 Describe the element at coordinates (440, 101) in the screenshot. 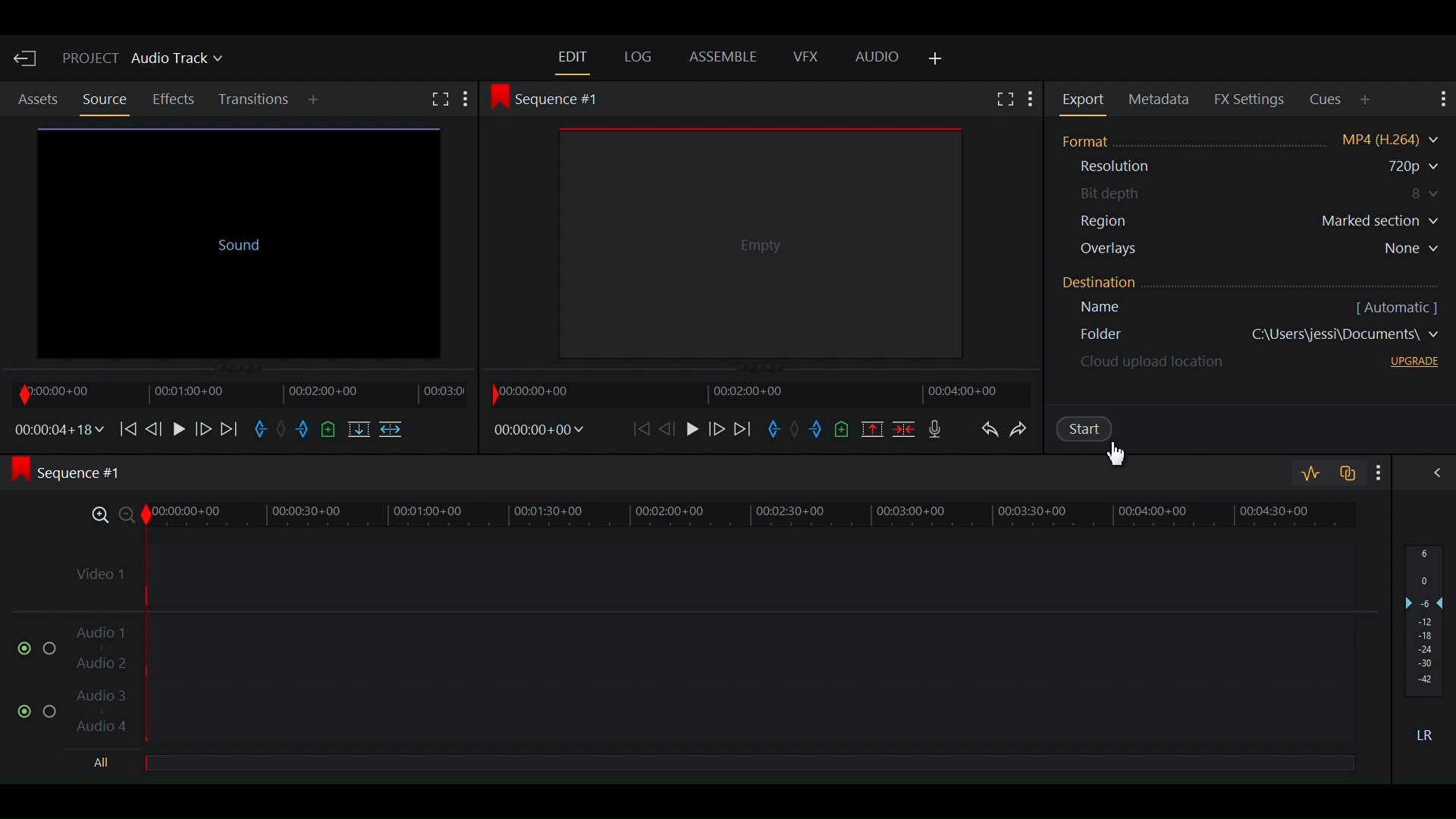

I see `Fullscreen` at that location.